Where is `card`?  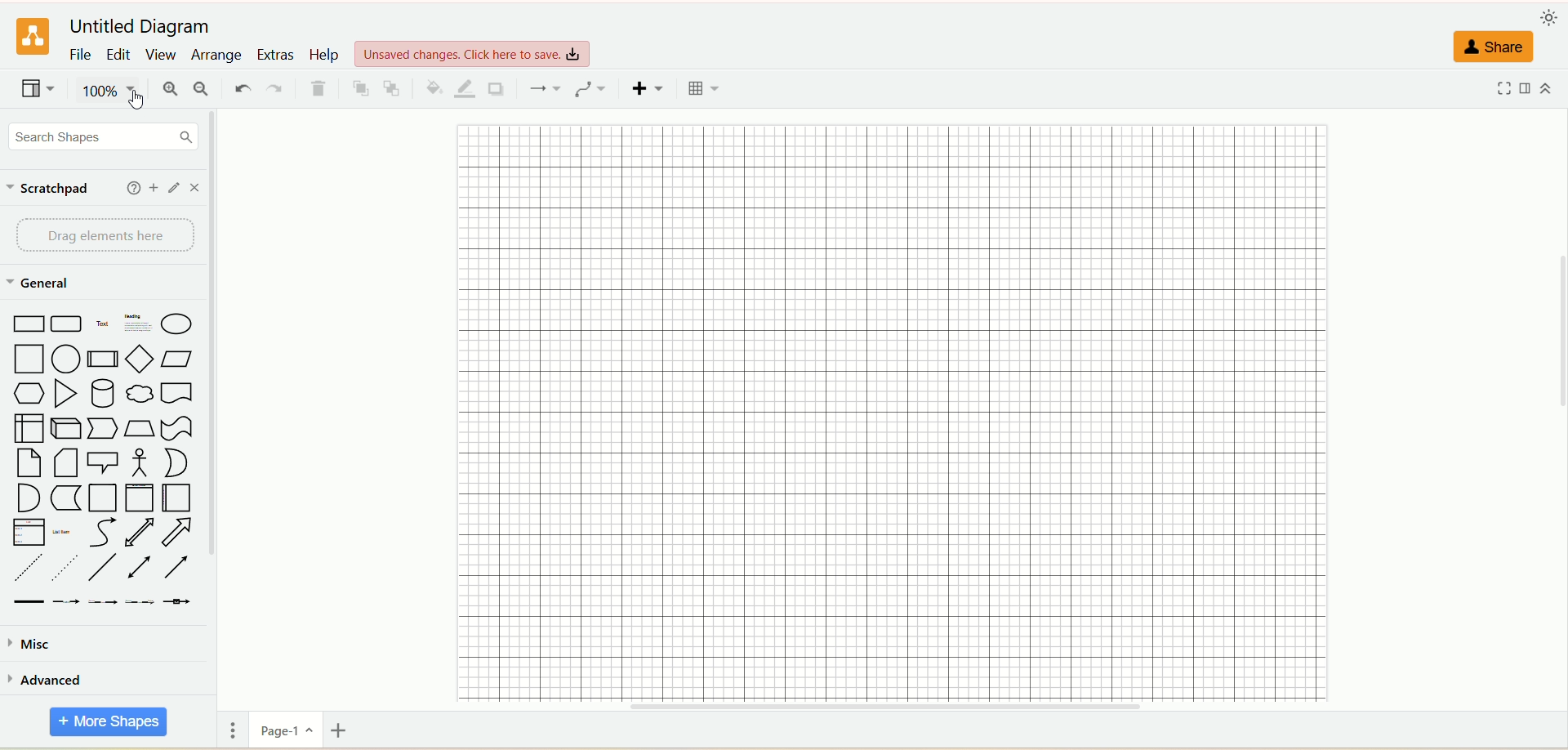
card is located at coordinates (64, 462).